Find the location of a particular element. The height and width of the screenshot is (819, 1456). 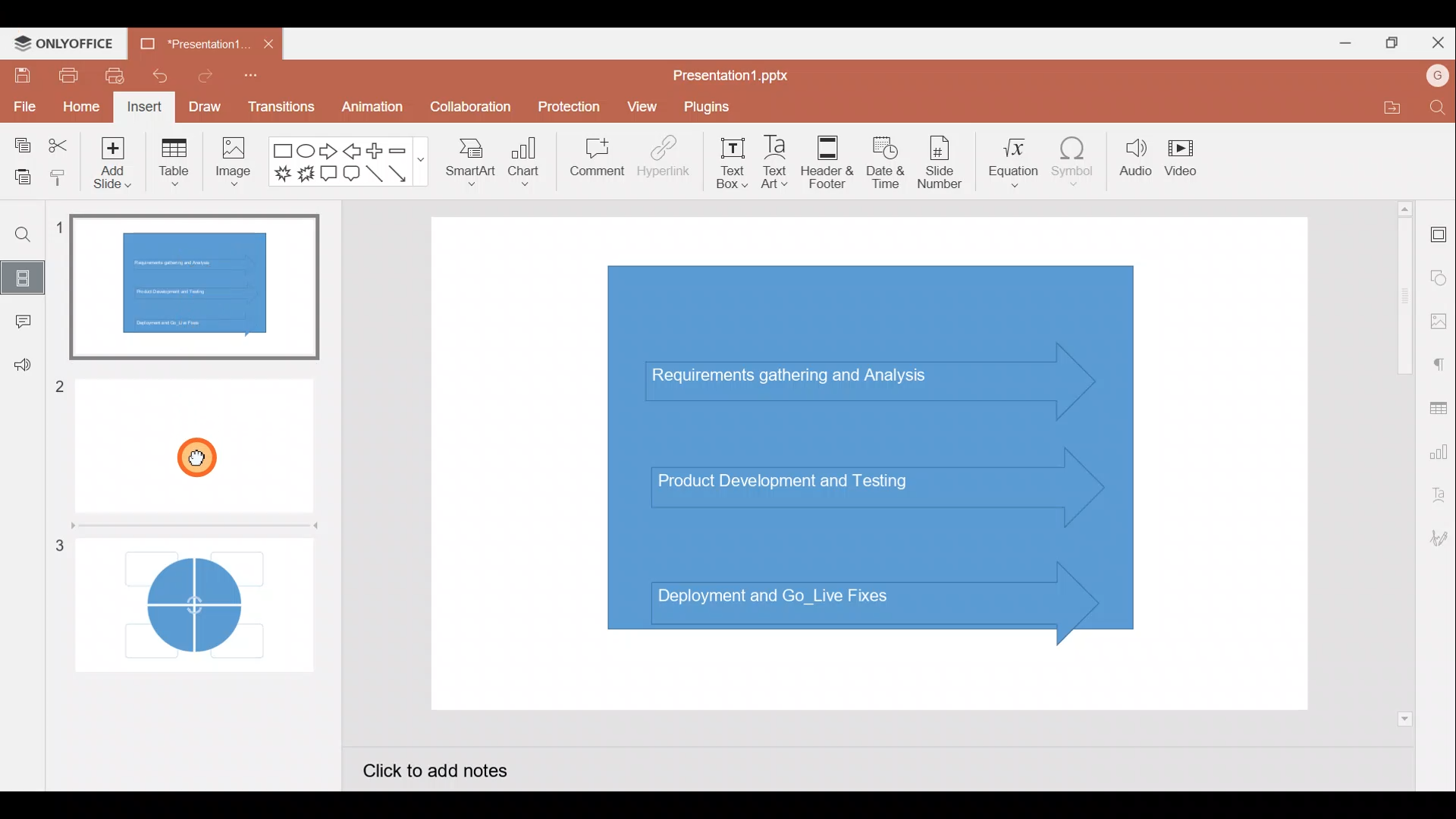

Minus is located at coordinates (406, 151).